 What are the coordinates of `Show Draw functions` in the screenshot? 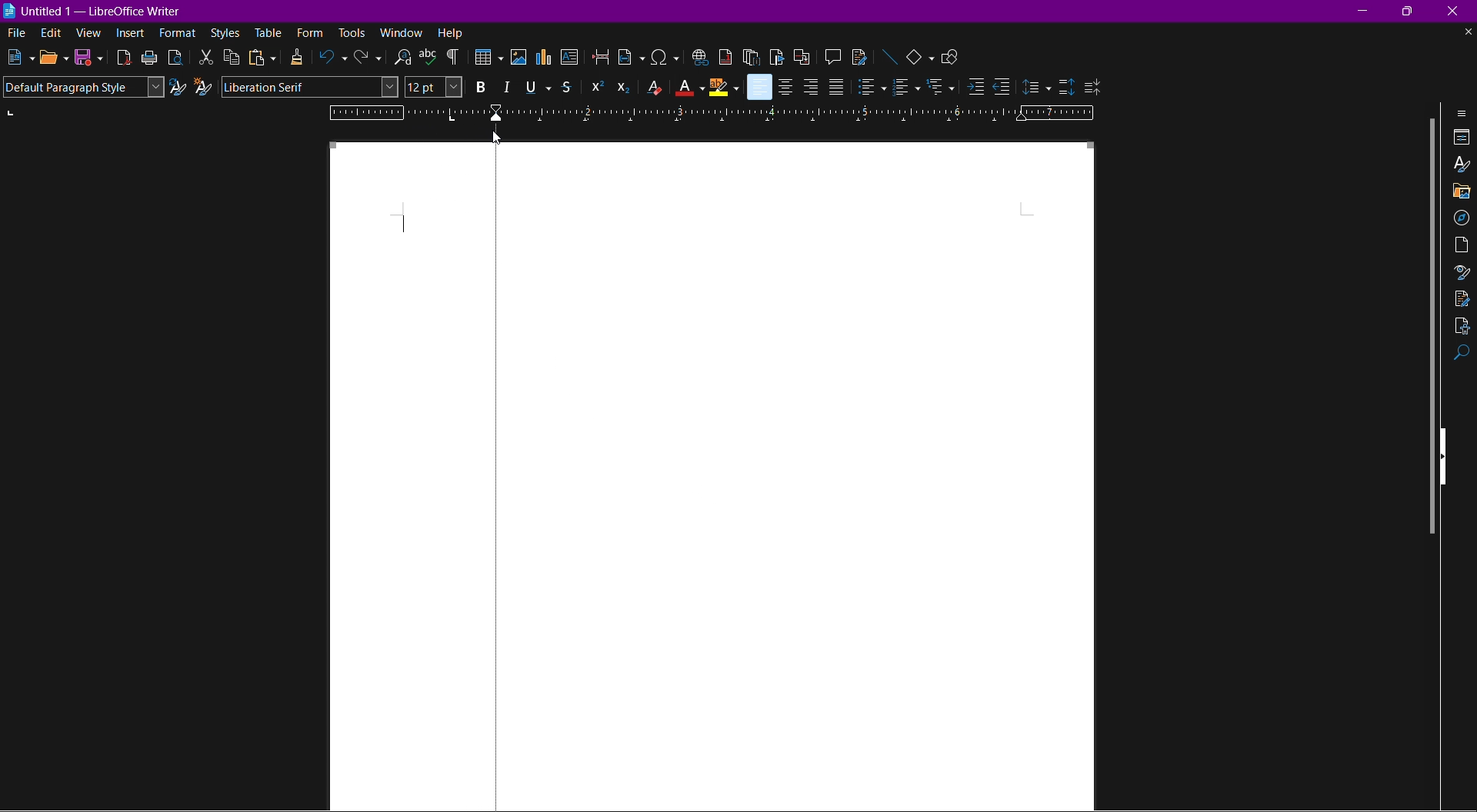 It's located at (954, 55).